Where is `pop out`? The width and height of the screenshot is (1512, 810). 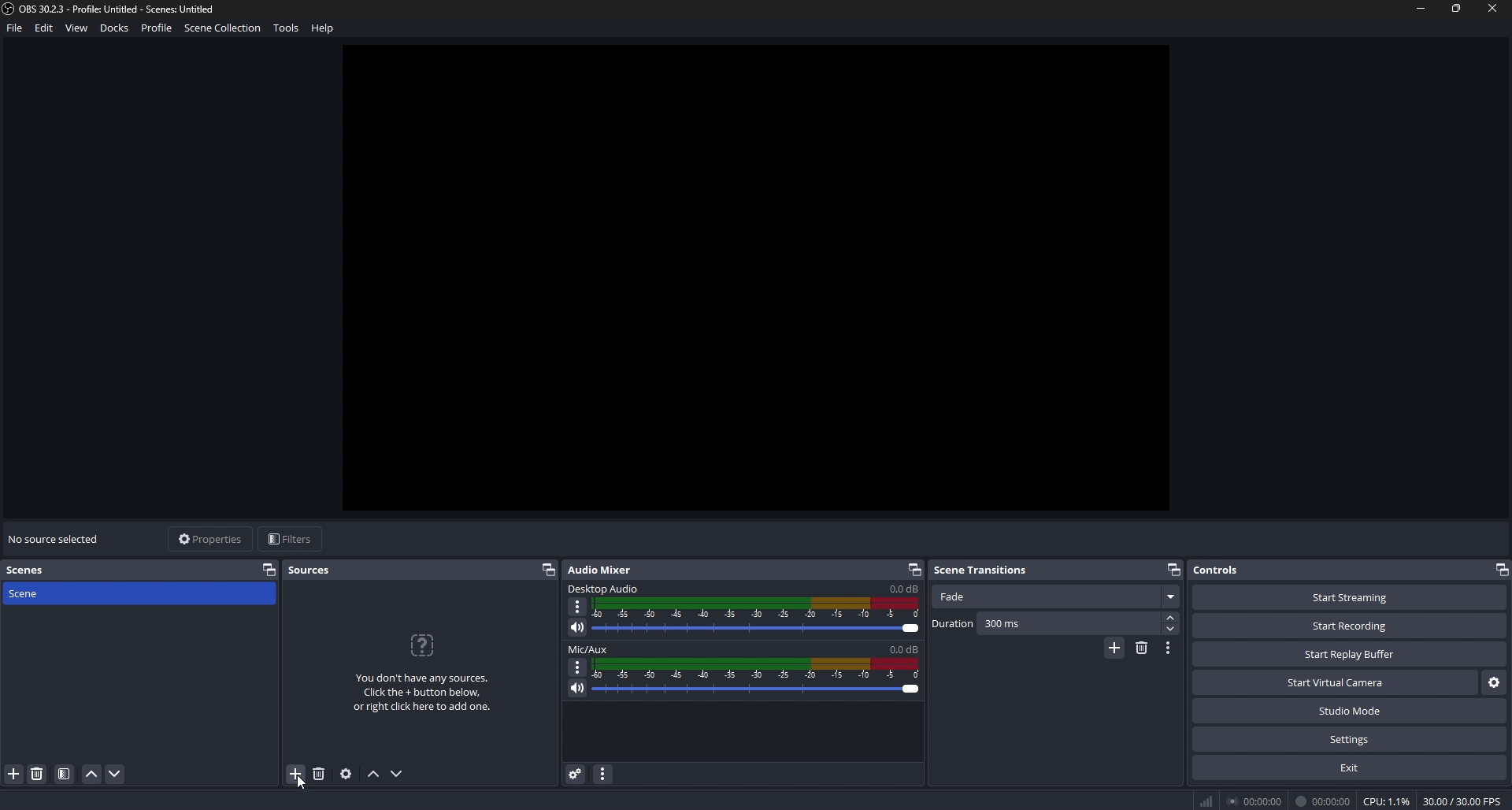
pop out is located at coordinates (913, 569).